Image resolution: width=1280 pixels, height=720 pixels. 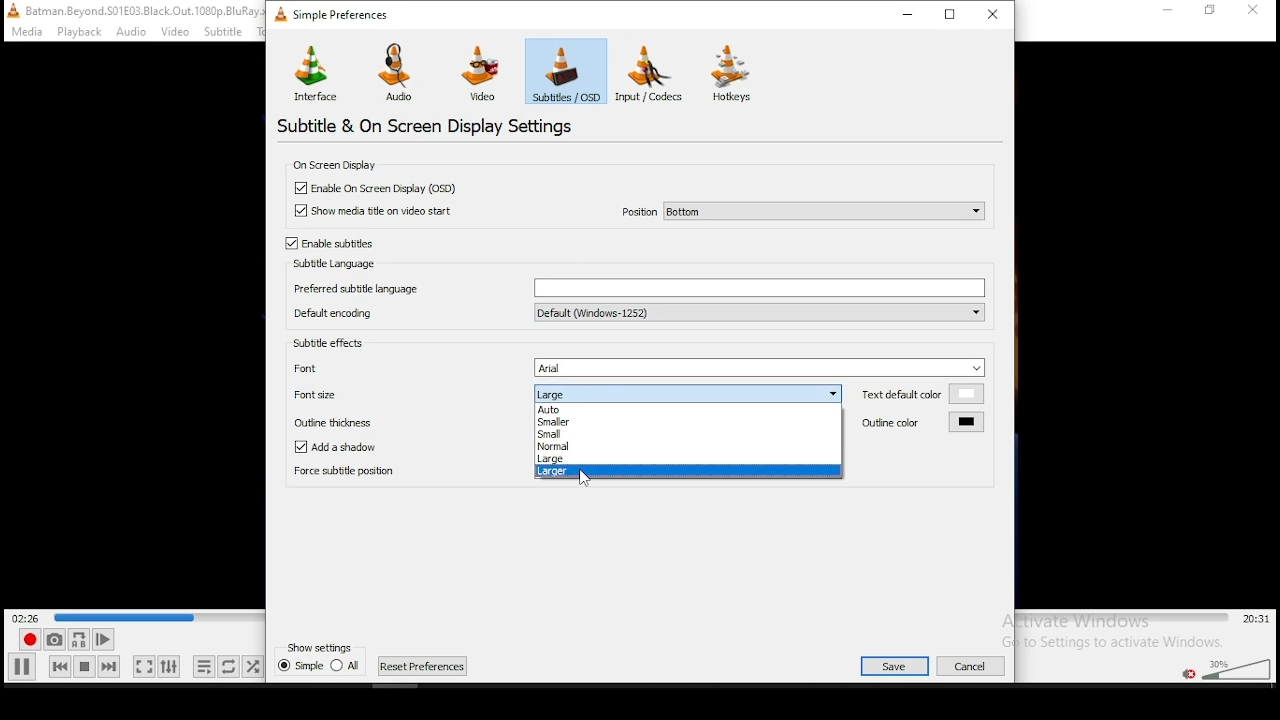 What do you see at coordinates (143, 666) in the screenshot?
I see `toggle video in fullscreen` at bounding box center [143, 666].